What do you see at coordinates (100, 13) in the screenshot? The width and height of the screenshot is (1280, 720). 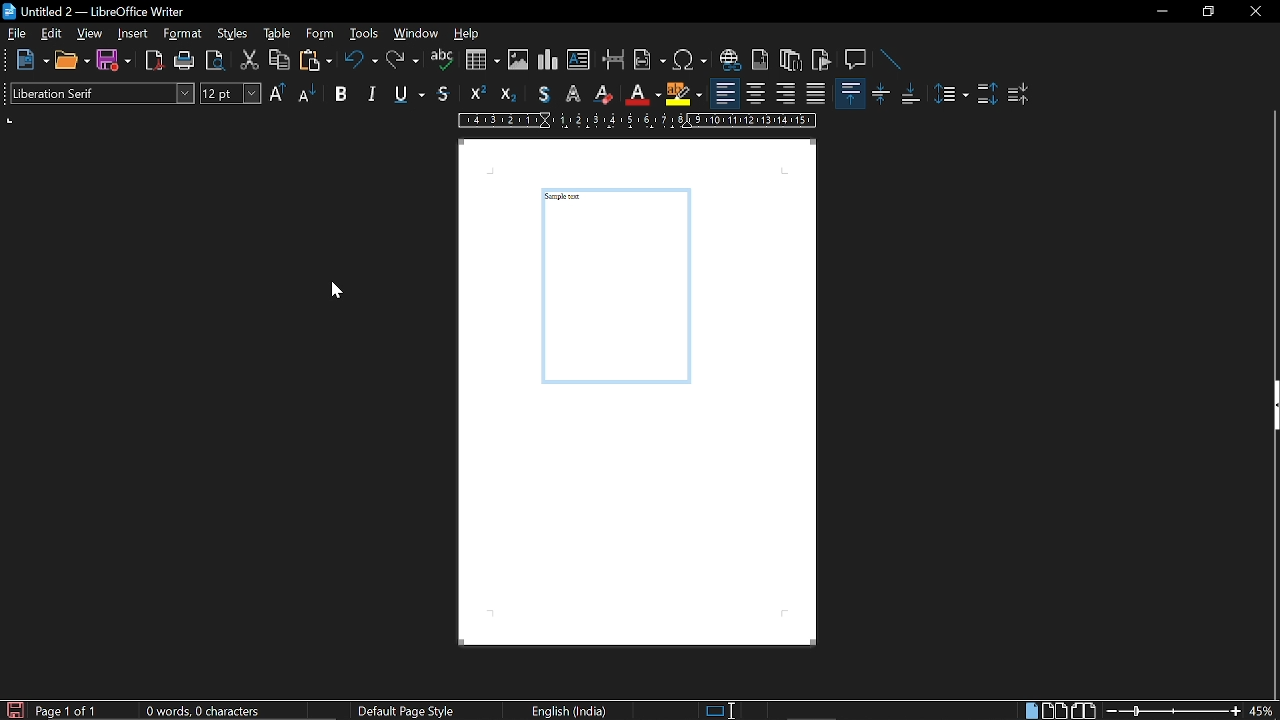 I see `Untitled 2 - LibreOffice Writer` at bounding box center [100, 13].